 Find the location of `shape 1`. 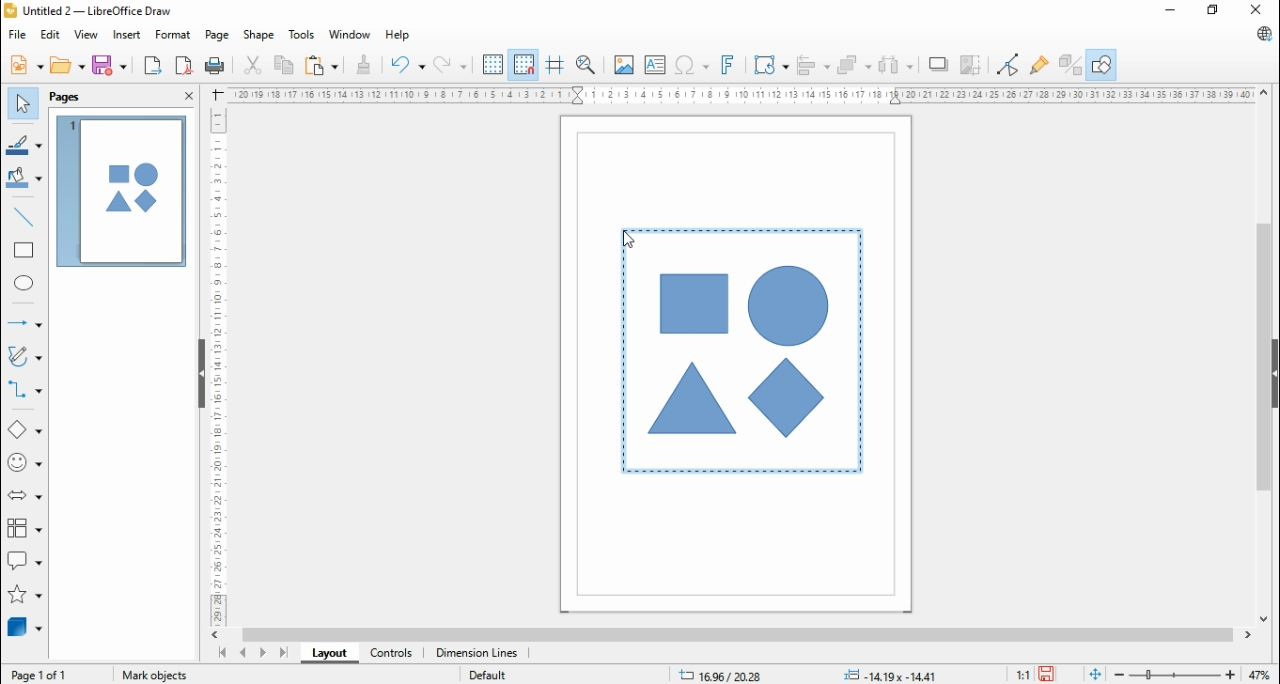

shape 1 is located at coordinates (693, 304).